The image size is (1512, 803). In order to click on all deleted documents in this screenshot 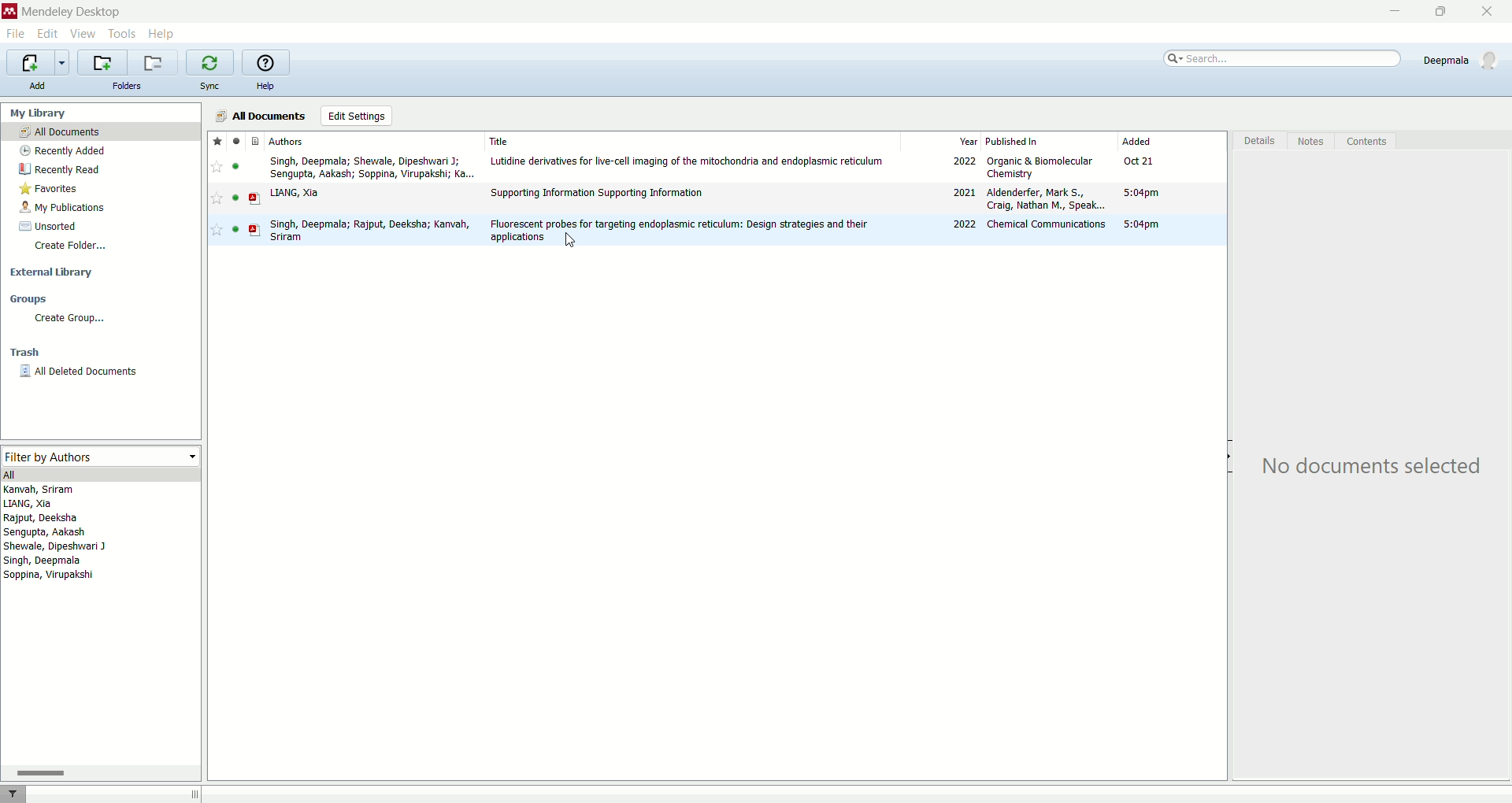, I will do `click(79, 371)`.